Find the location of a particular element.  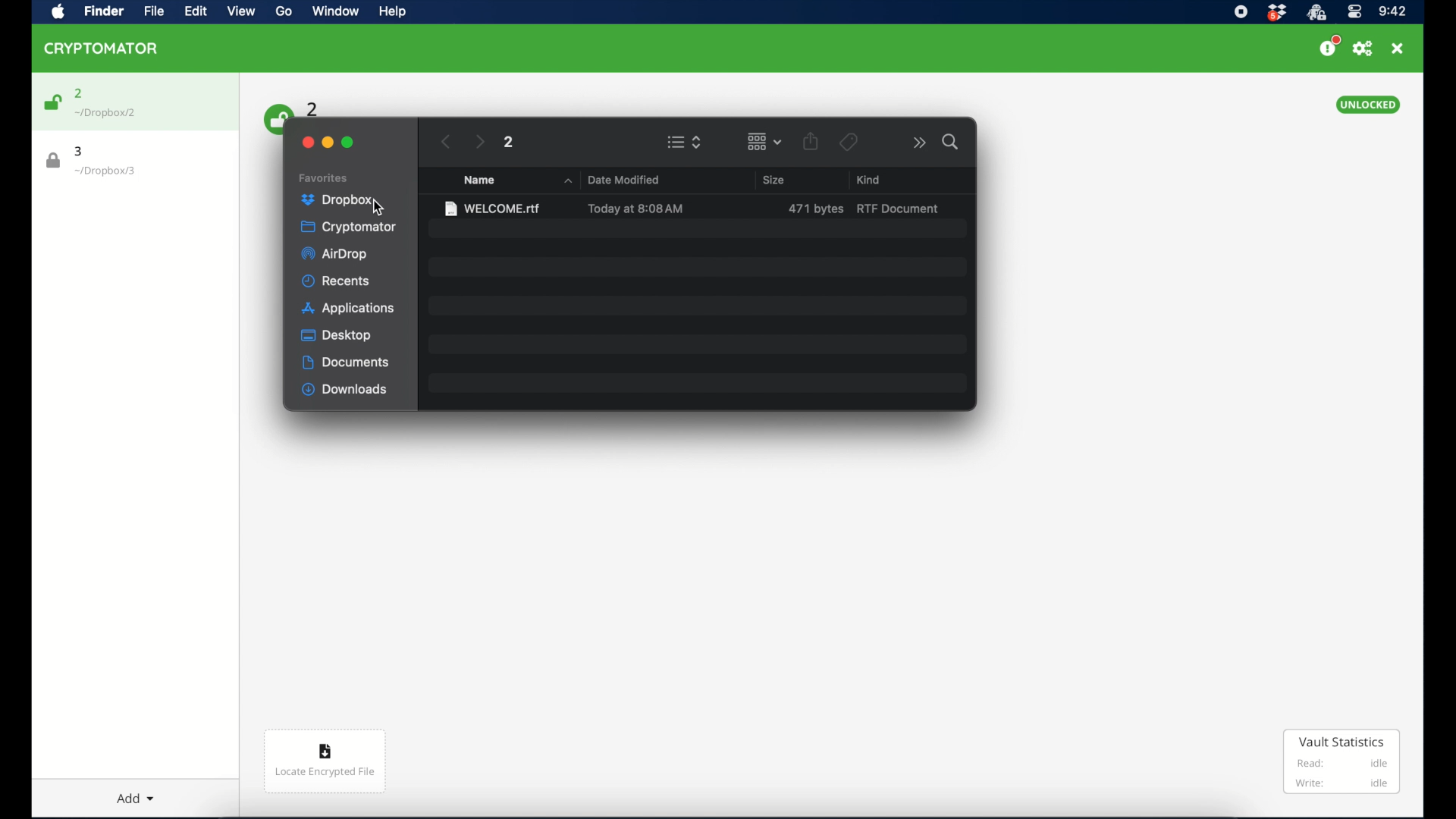

apple icon is located at coordinates (58, 12).